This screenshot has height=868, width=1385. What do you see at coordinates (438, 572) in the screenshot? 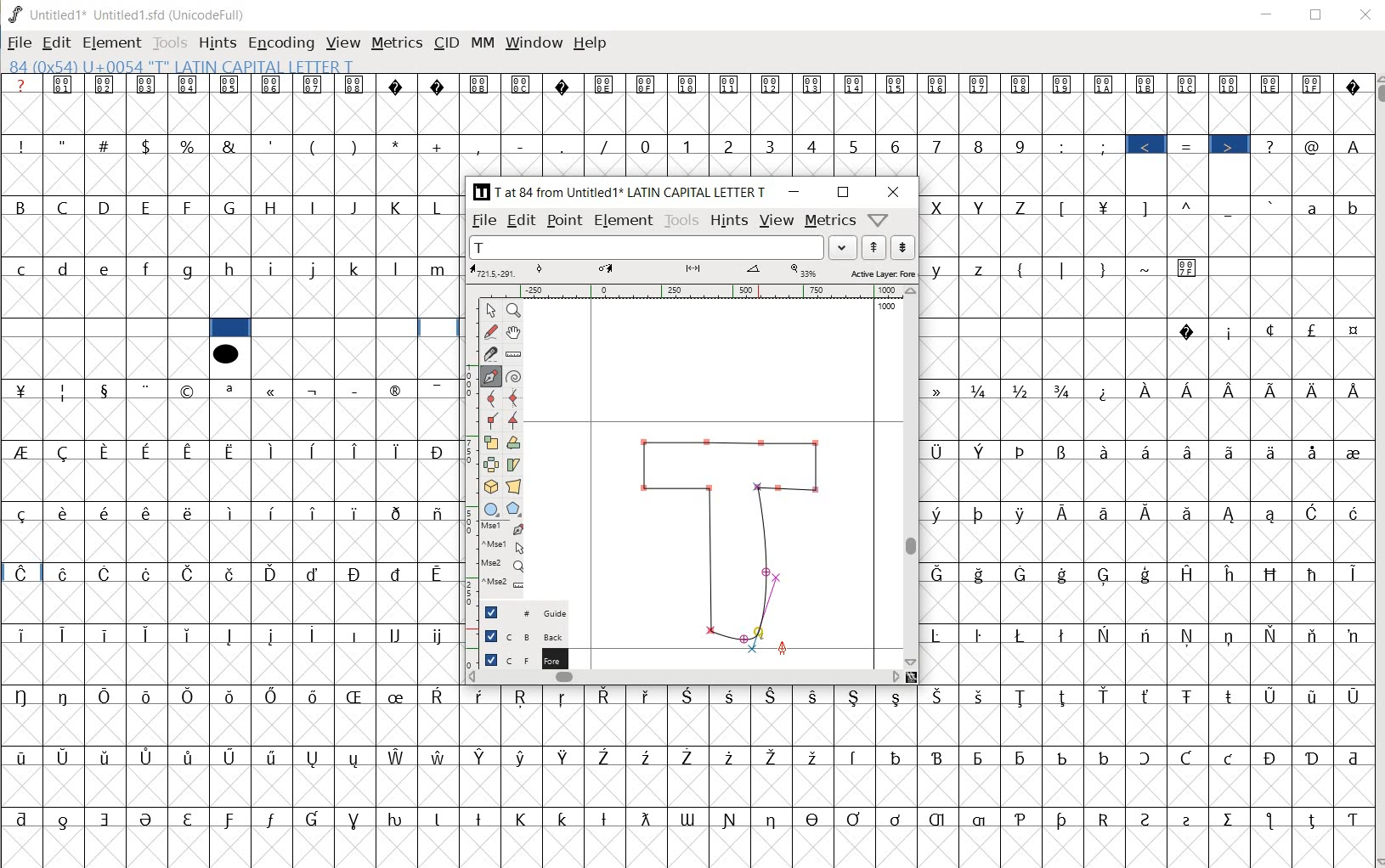
I see `Symbol` at bounding box center [438, 572].